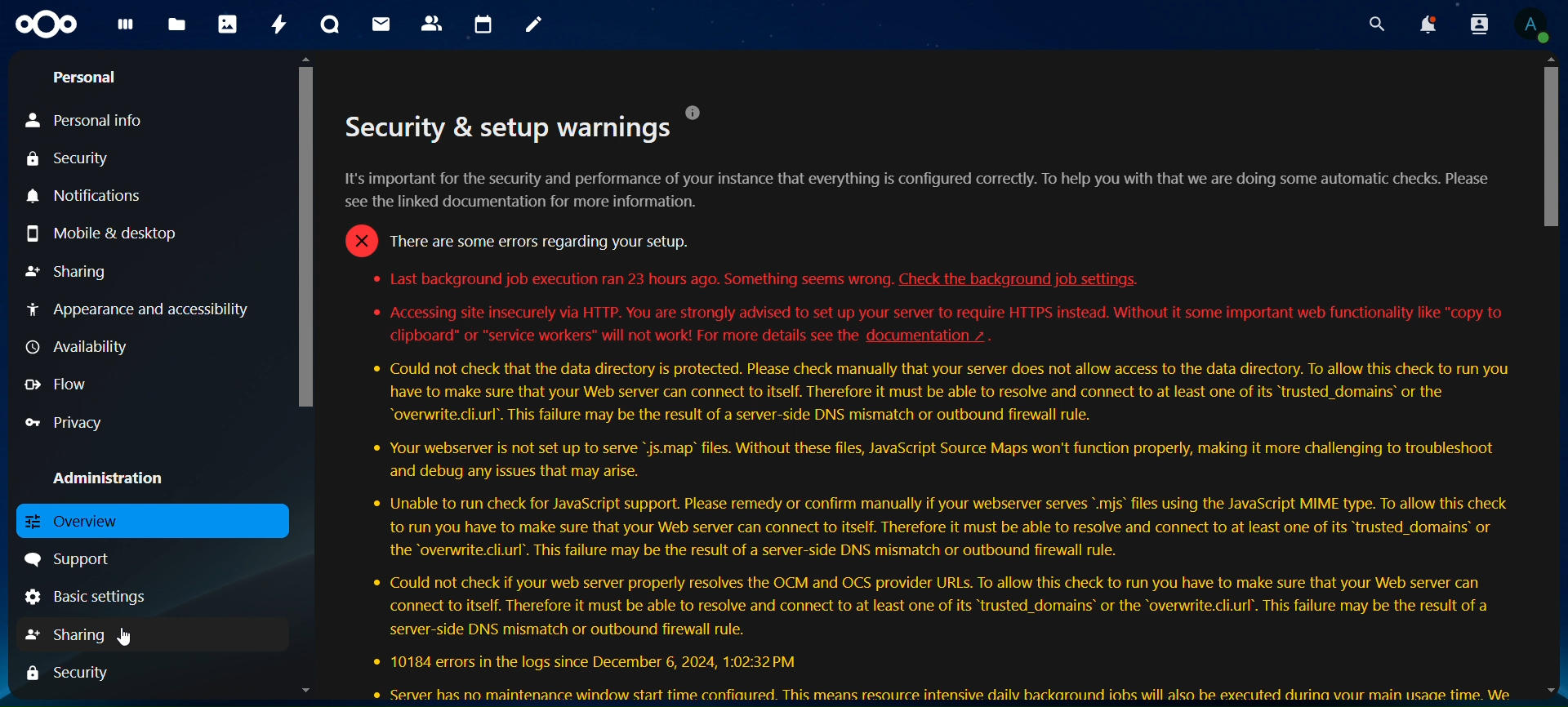 This screenshot has width=1568, height=707. What do you see at coordinates (75, 345) in the screenshot?
I see `availability` at bounding box center [75, 345].